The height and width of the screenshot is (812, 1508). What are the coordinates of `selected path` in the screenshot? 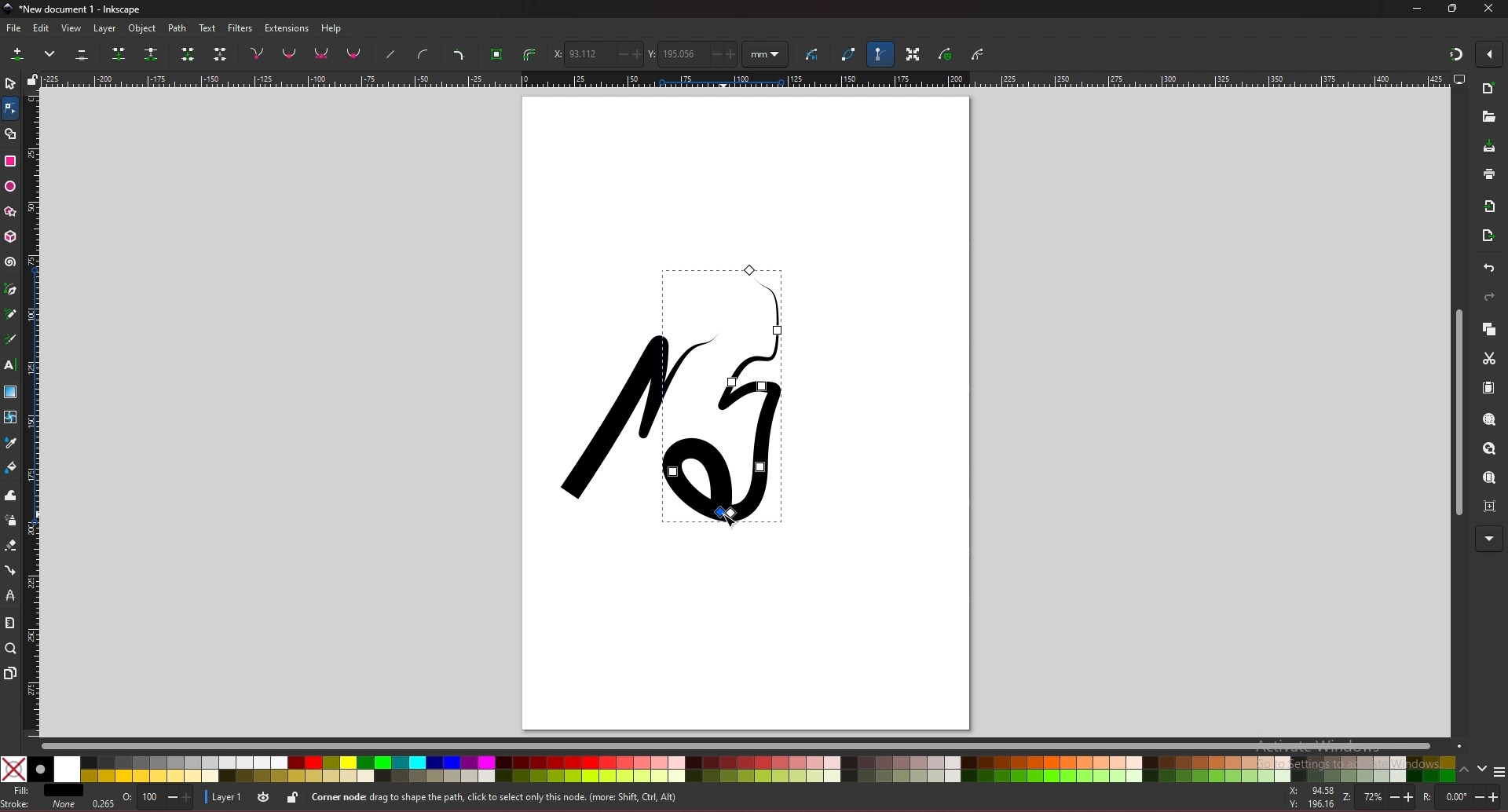 It's located at (721, 400).